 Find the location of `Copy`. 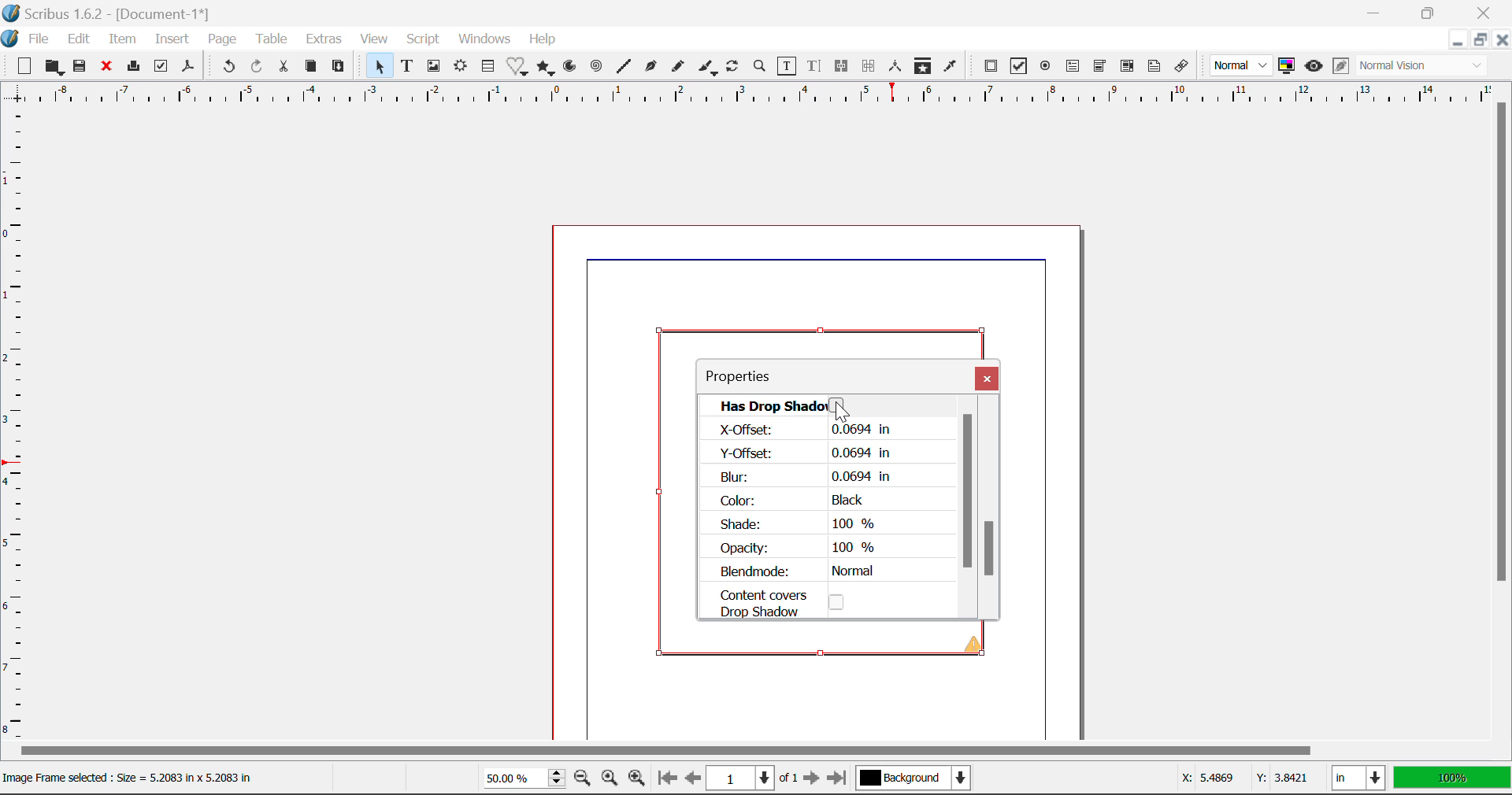

Copy is located at coordinates (311, 68).